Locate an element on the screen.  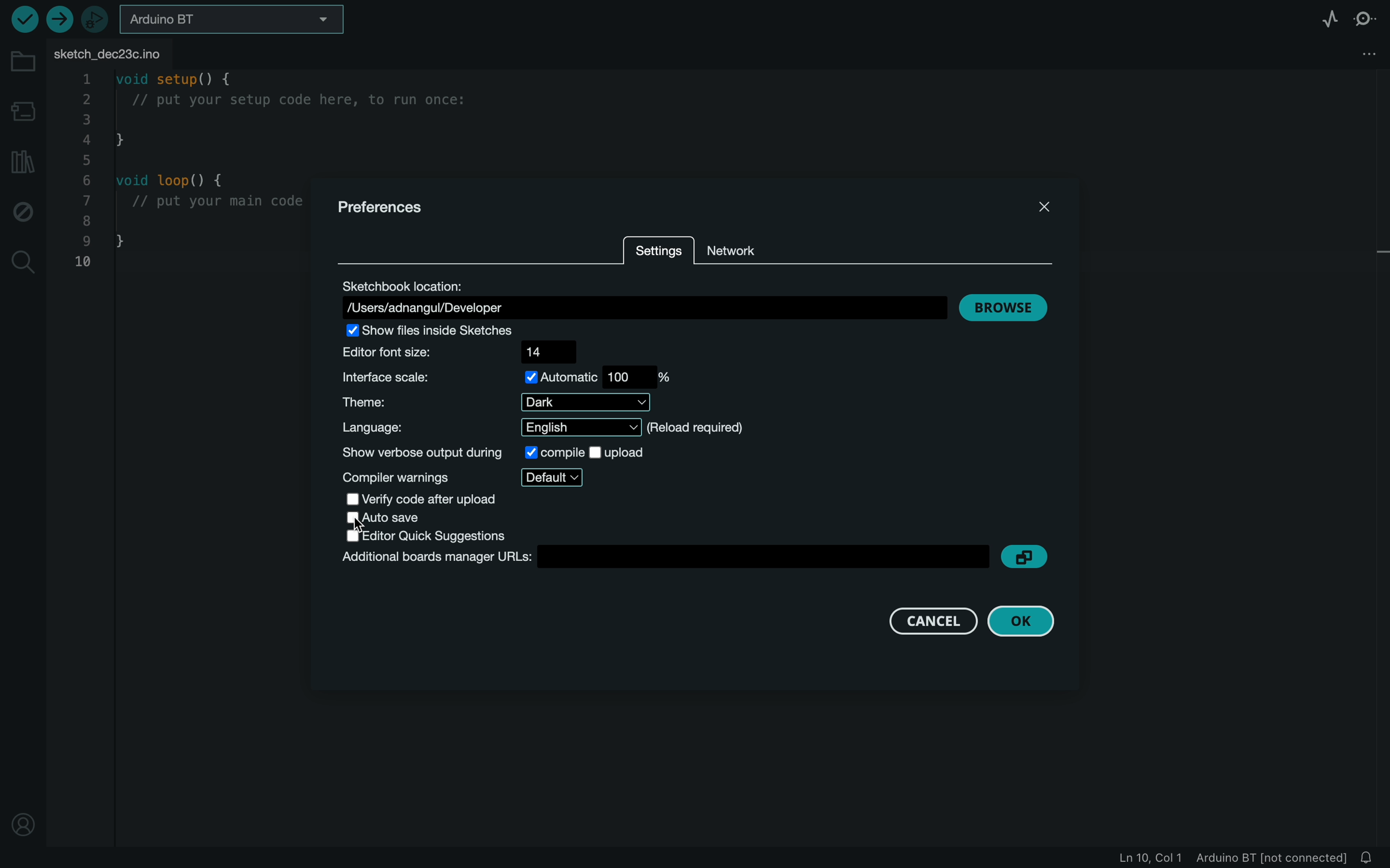
network is located at coordinates (748, 246).